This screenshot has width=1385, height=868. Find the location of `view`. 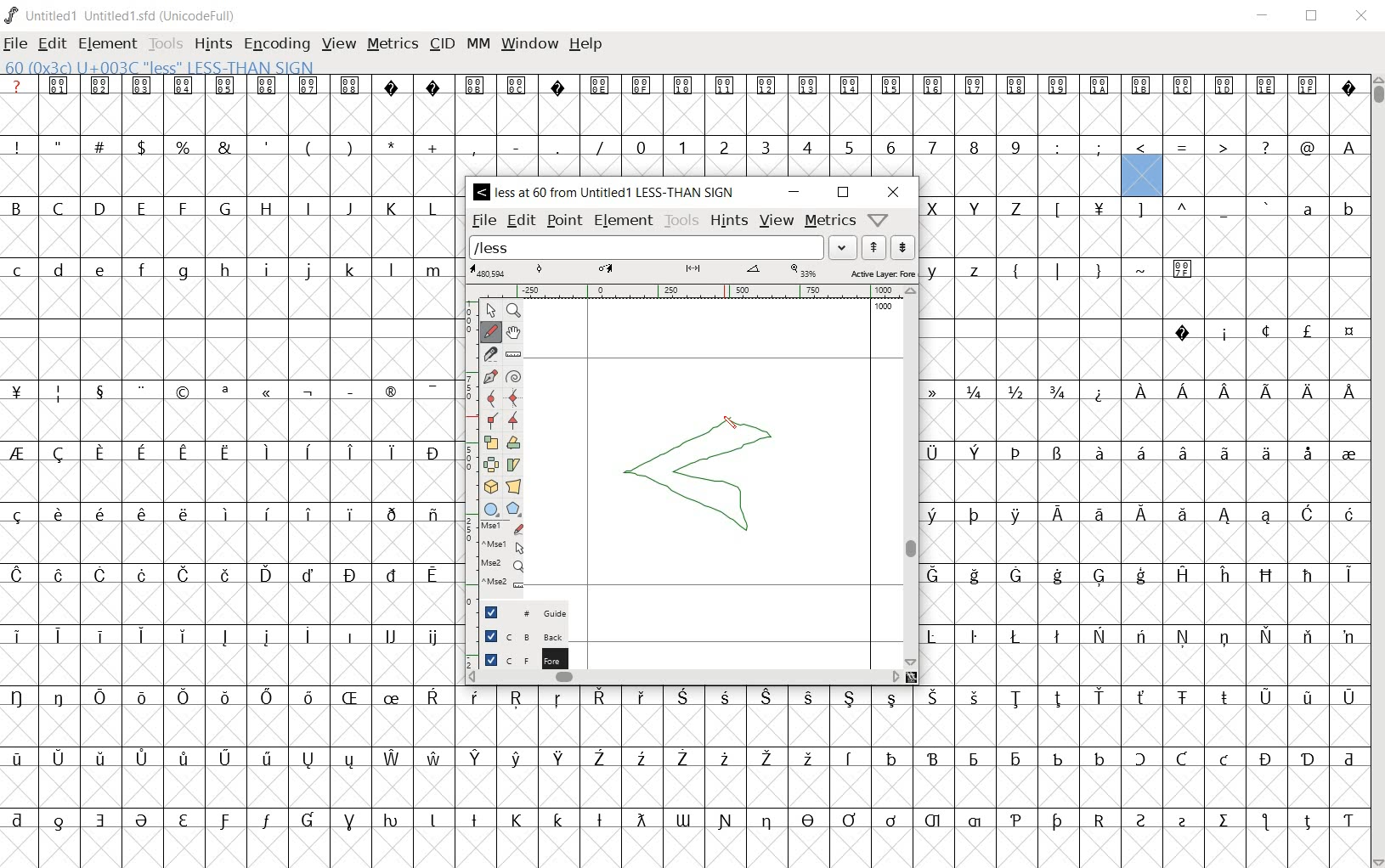

view is located at coordinates (777, 219).